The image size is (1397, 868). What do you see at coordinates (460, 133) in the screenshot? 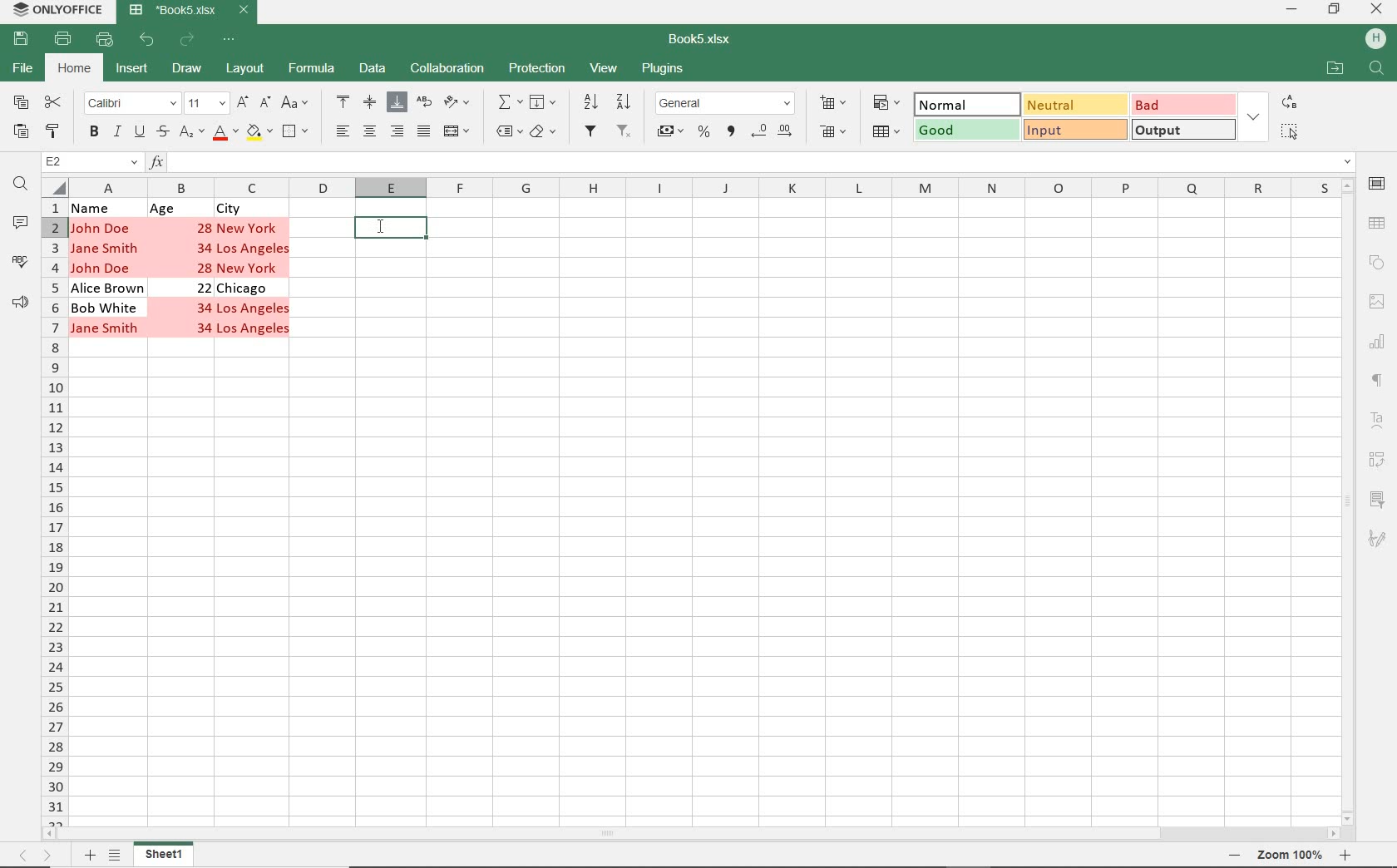
I see `MERGE & CENTER` at bounding box center [460, 133].